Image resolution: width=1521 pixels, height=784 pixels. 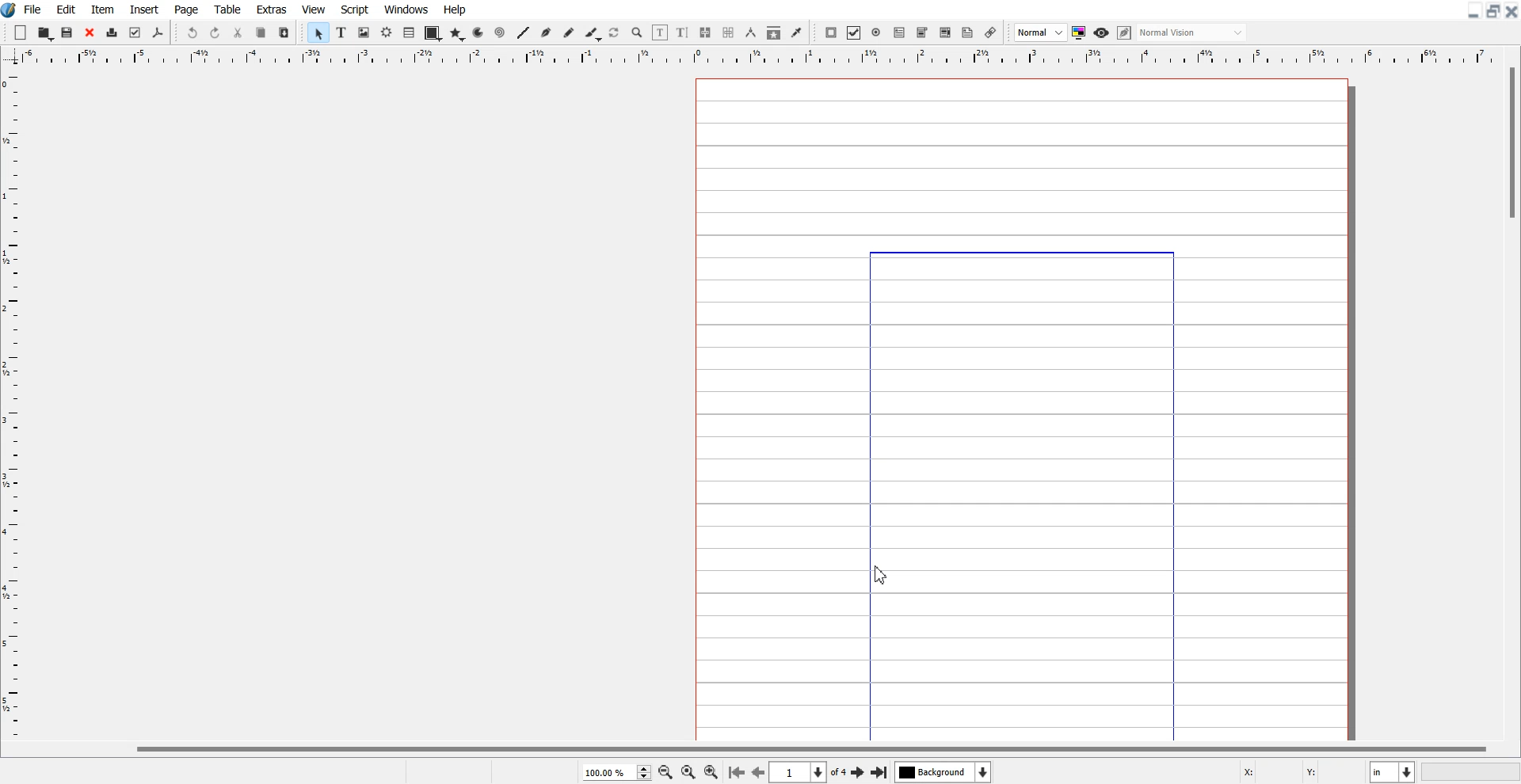 I want to click on Edit Text, so click(x=682, y=32).